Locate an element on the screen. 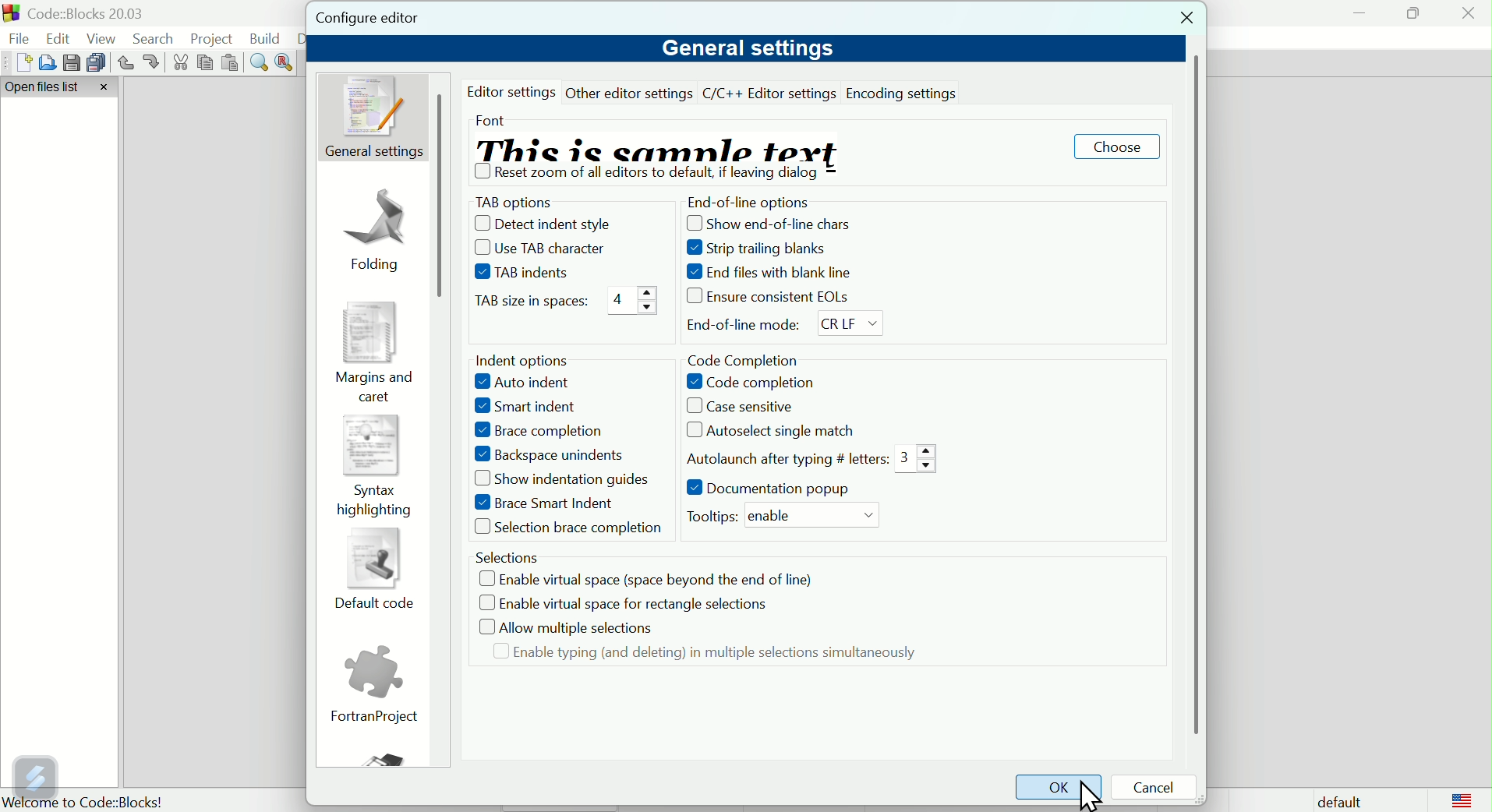  Smart Indent is located at coordinates (532, 404).